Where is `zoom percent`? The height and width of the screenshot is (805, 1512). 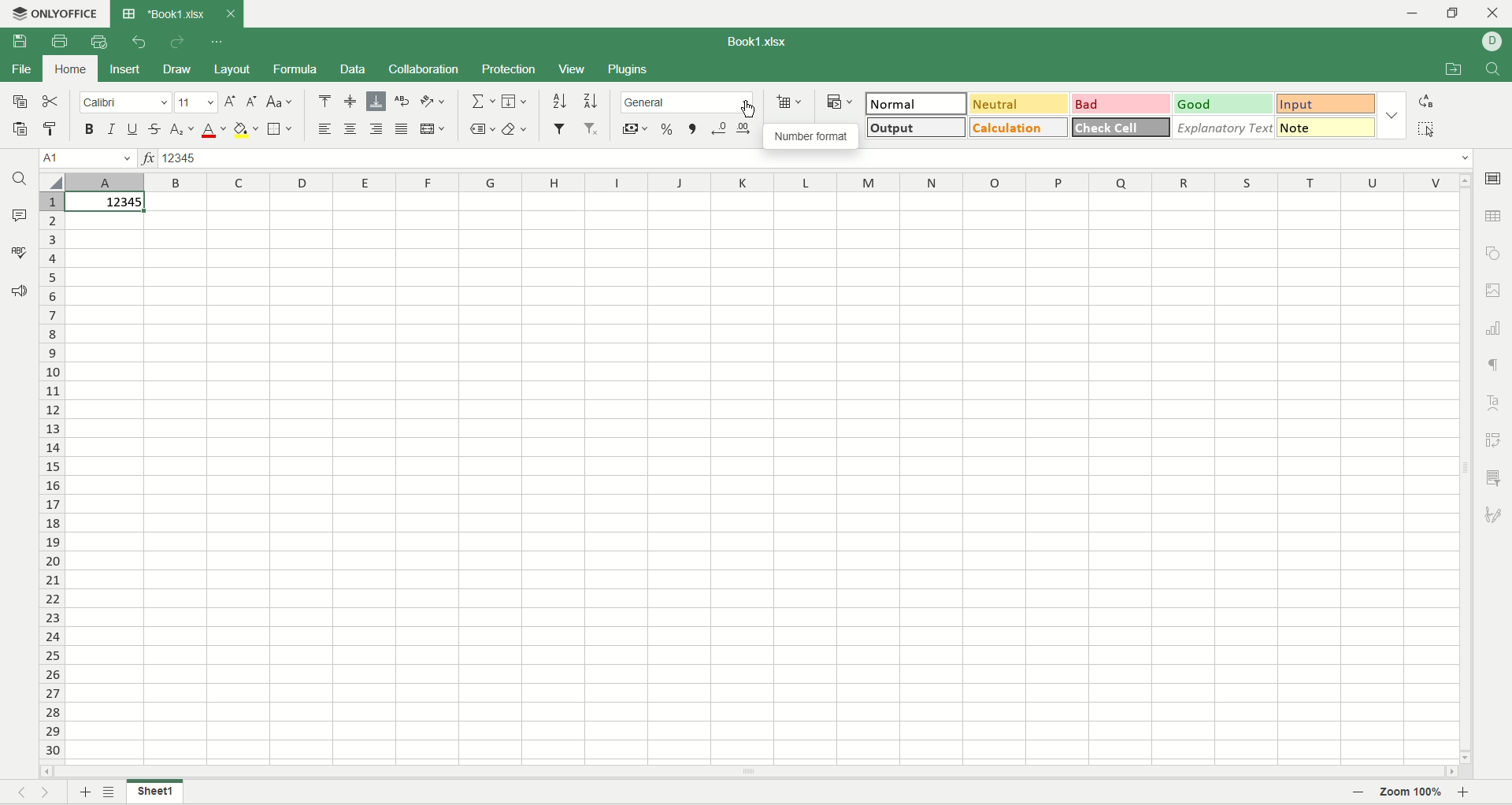
zoom percent is located at coordinates (1409, 793).